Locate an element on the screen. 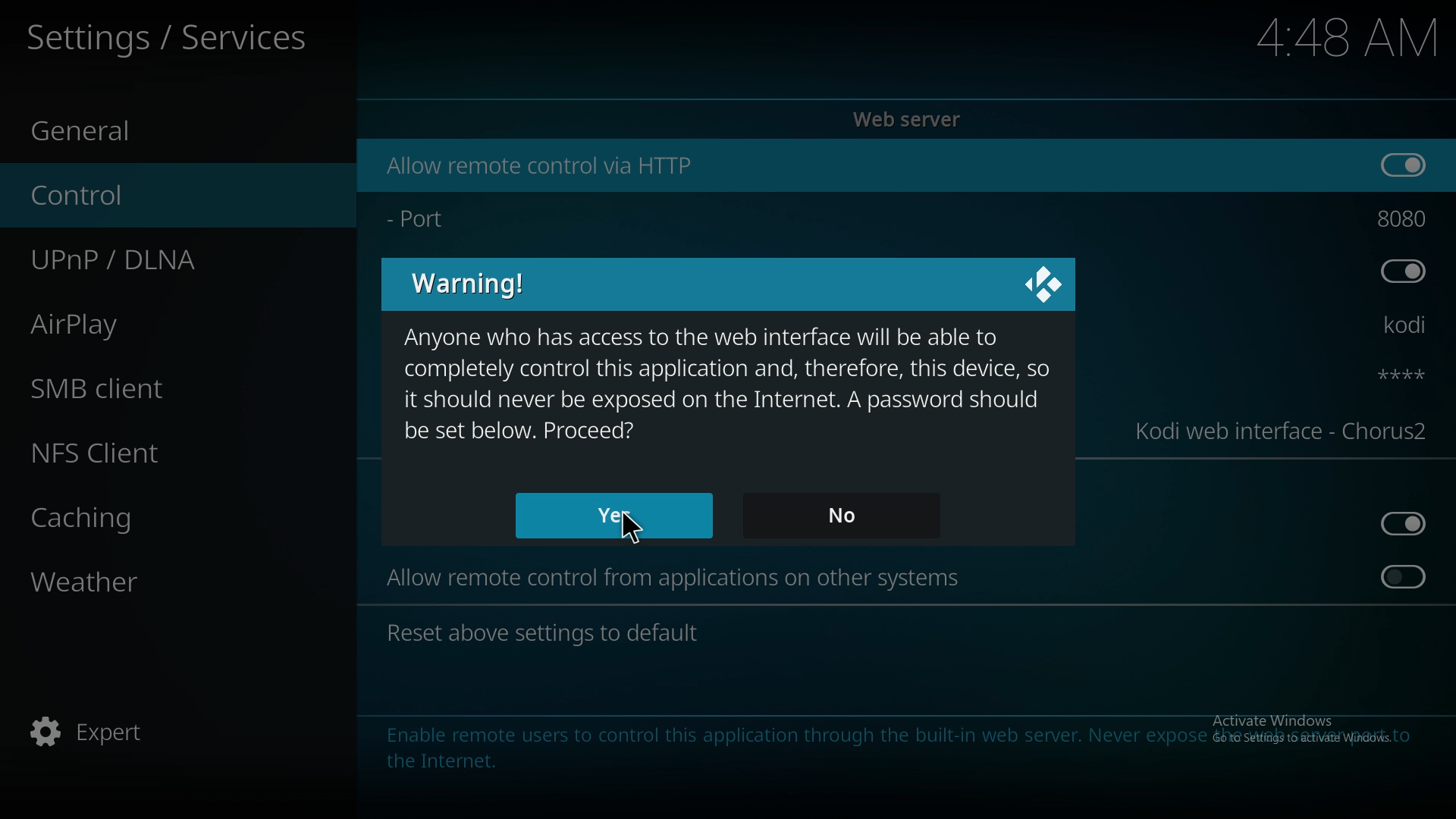 The width and height of the screenshot is (1456, 819). off is located at coordinates (1402, 522).